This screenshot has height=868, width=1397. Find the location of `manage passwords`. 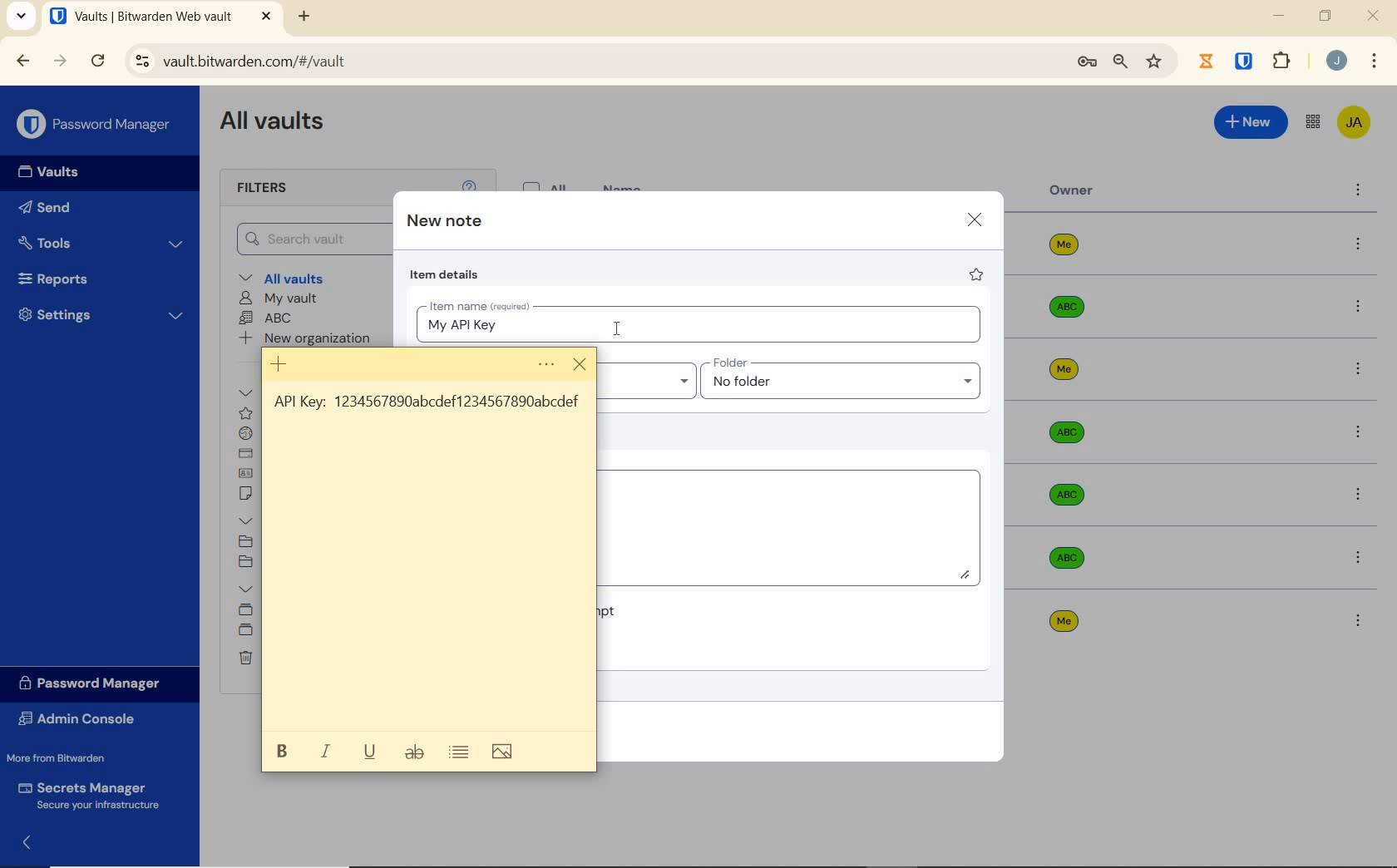

manage passwords is located at coordinates (1087, 63).